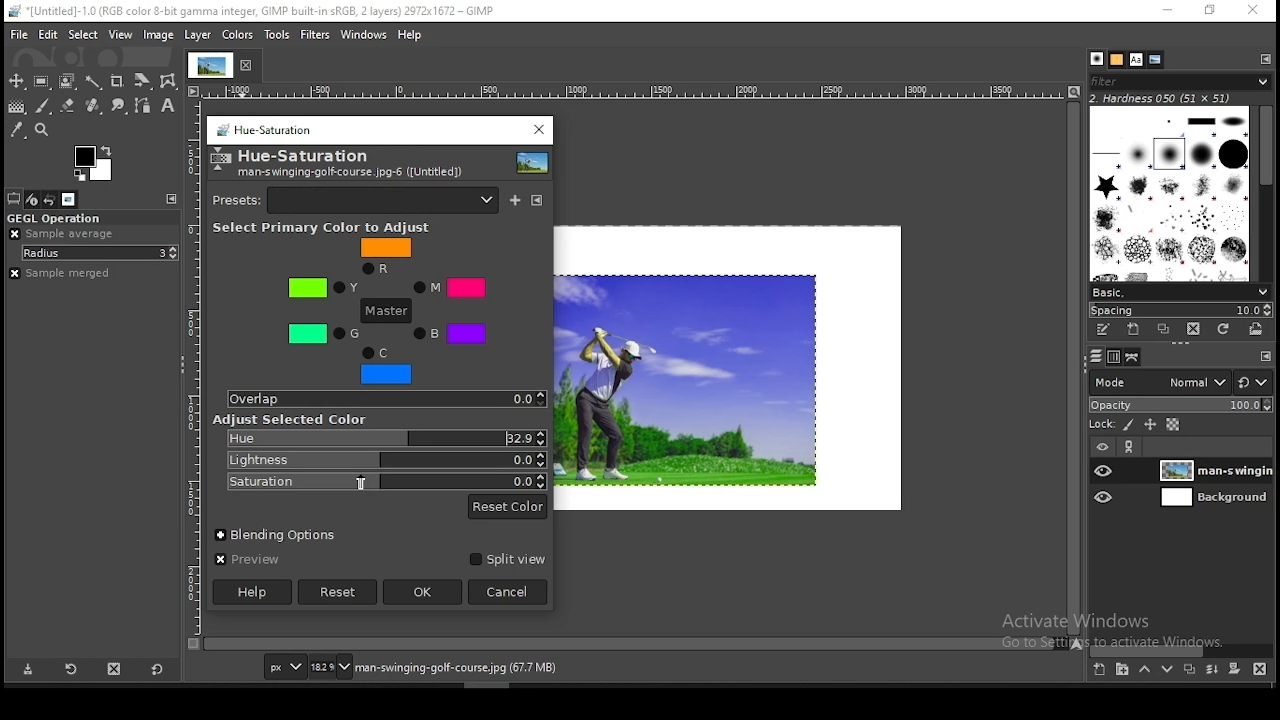 This screenshot has width=1280, height=720. I want to click on brushes, so click(1169, 194).